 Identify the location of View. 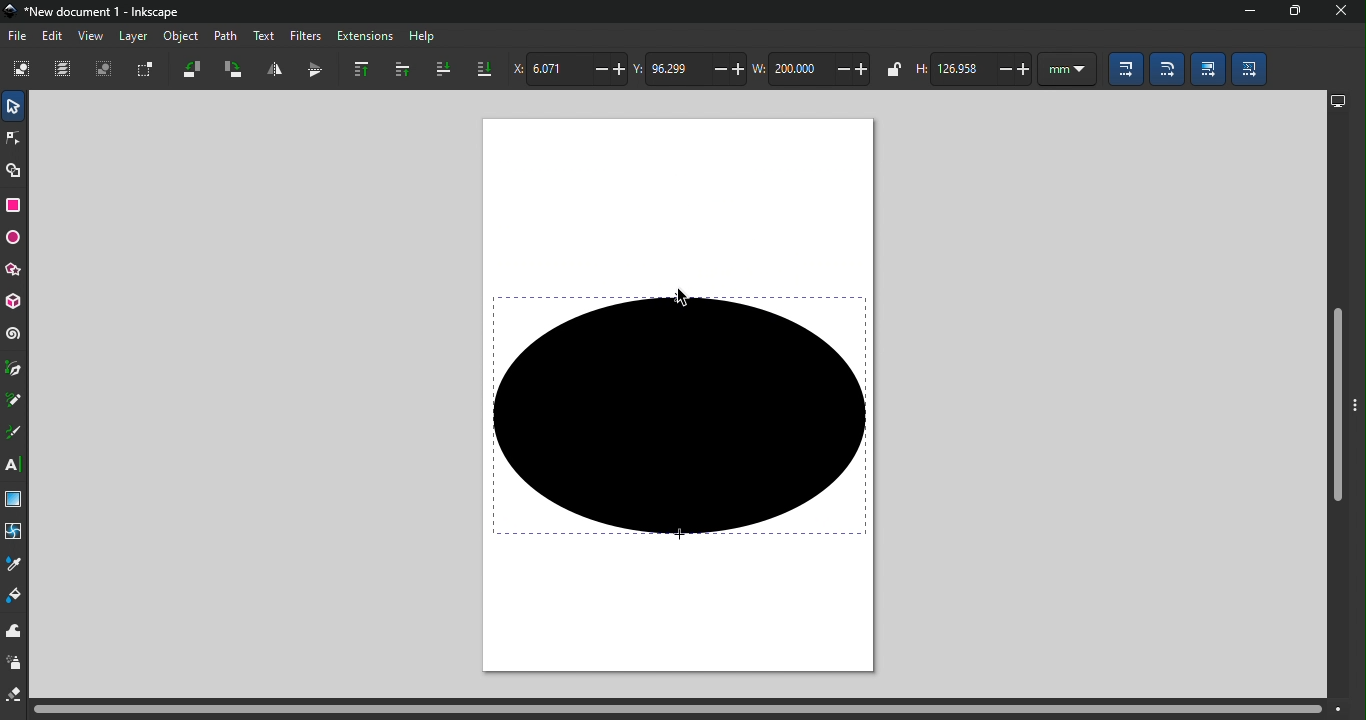
(93, 35).